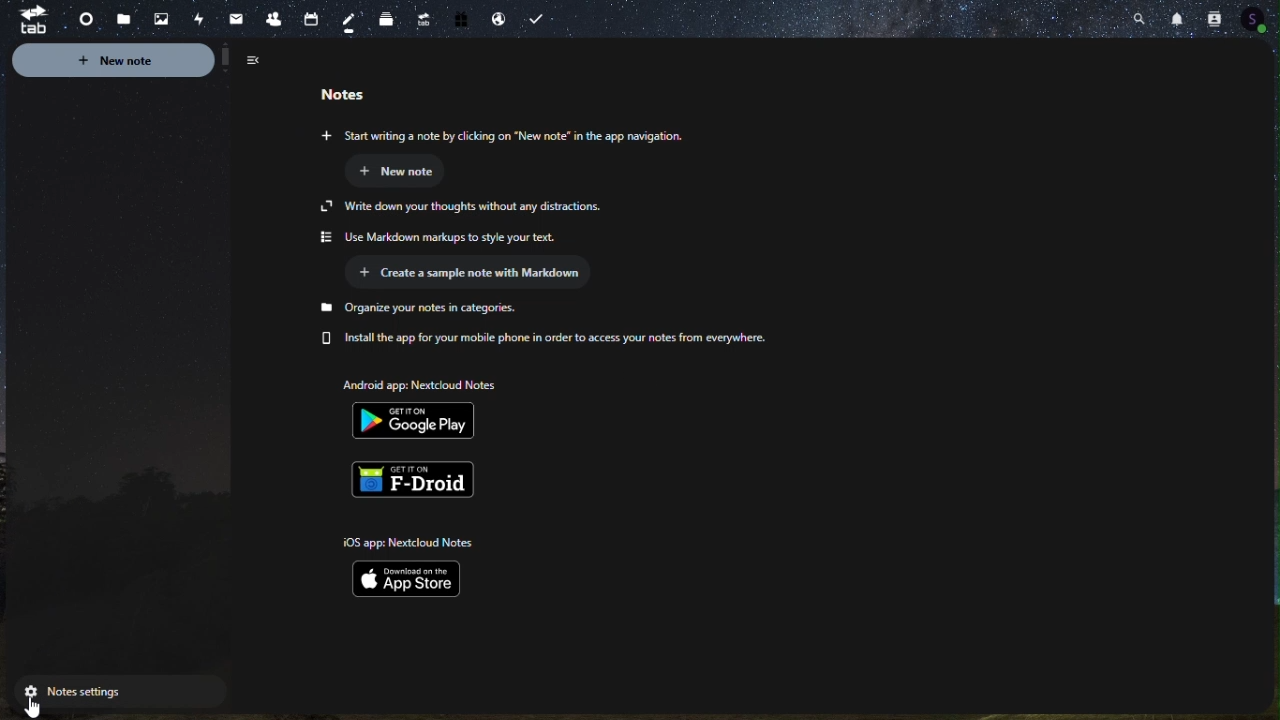  I want to click on Google play -Play Store, so click(420, 422).